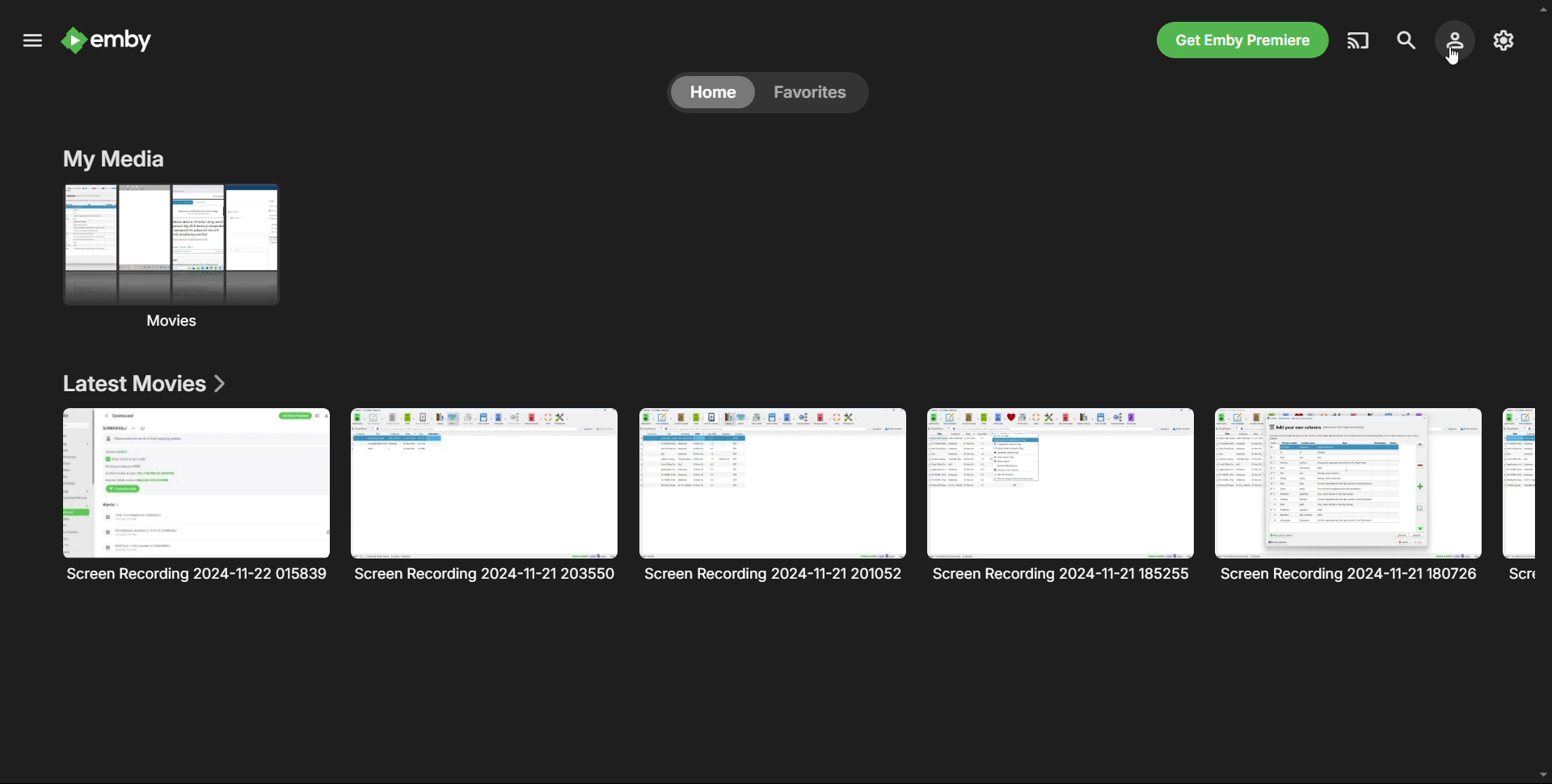 Image resolution: width=1552 pixels, height=784 pixels. Describe the element at coordinates (1542, 773) in the screenshot. I see `scroll down` at that location.